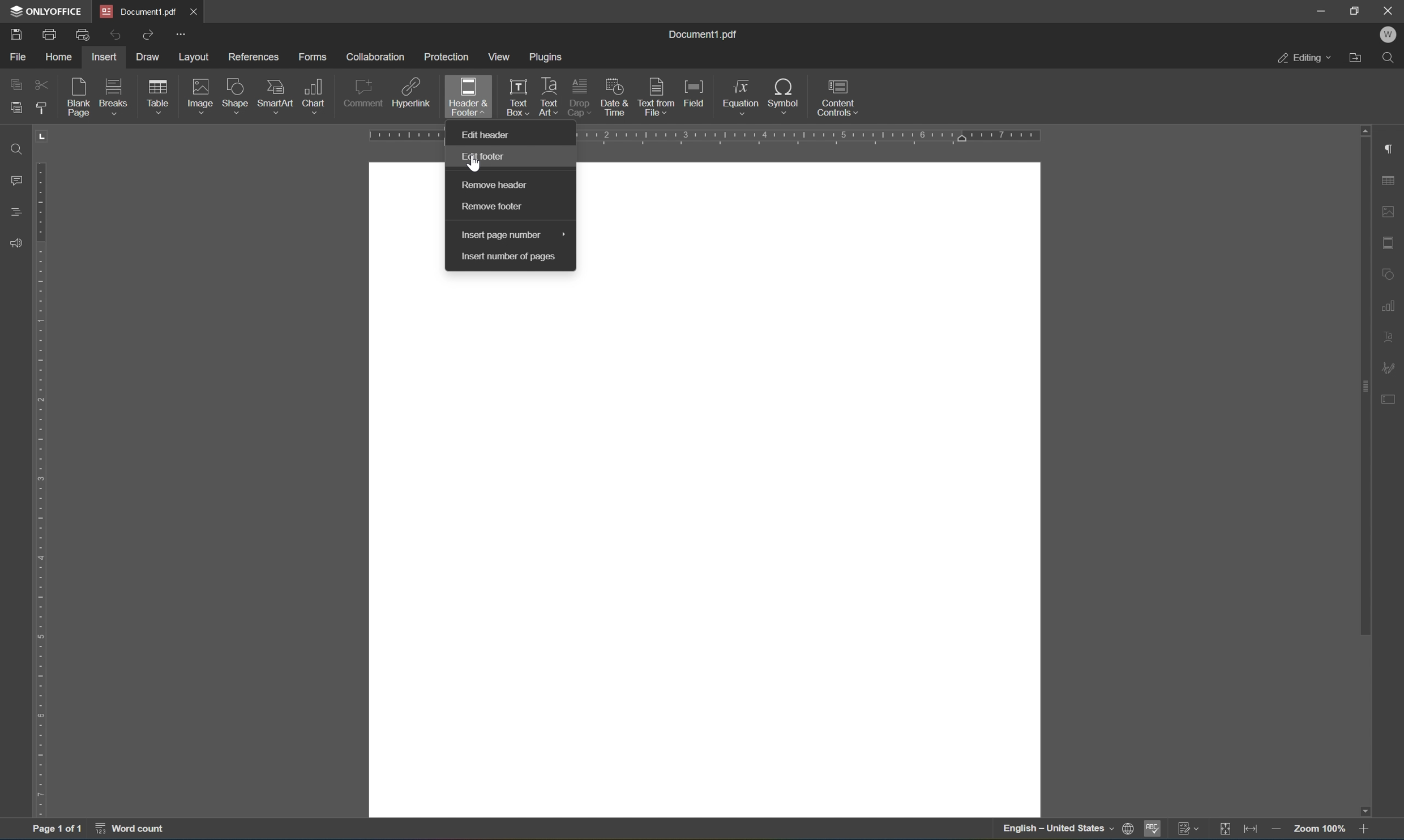  Describe the element at coordinates (15, 179) in the screenshot. I see `comments` at that location.